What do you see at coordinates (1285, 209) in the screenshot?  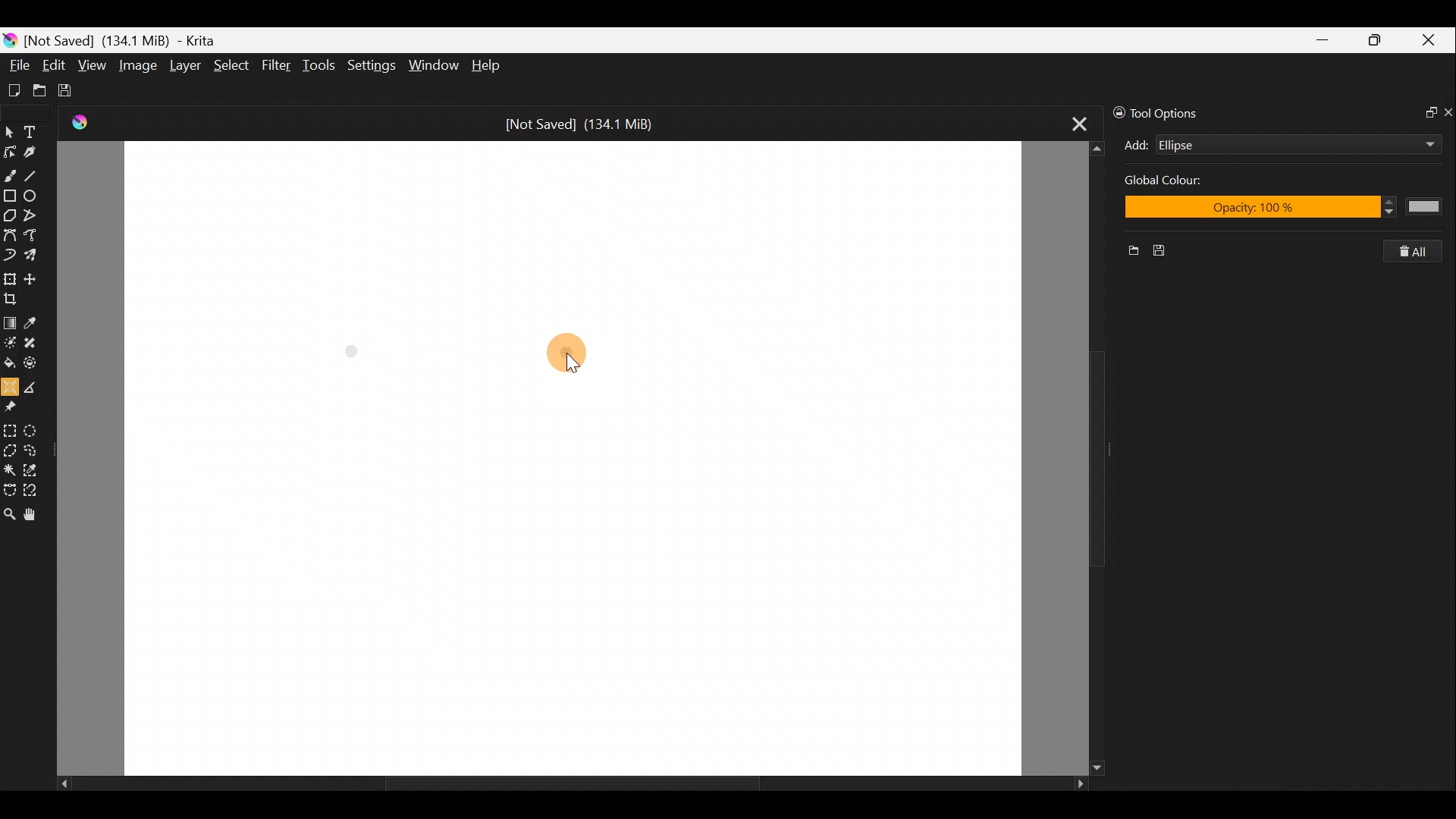 I see `Opacity: 100%` at bounding box center [1285, 209].